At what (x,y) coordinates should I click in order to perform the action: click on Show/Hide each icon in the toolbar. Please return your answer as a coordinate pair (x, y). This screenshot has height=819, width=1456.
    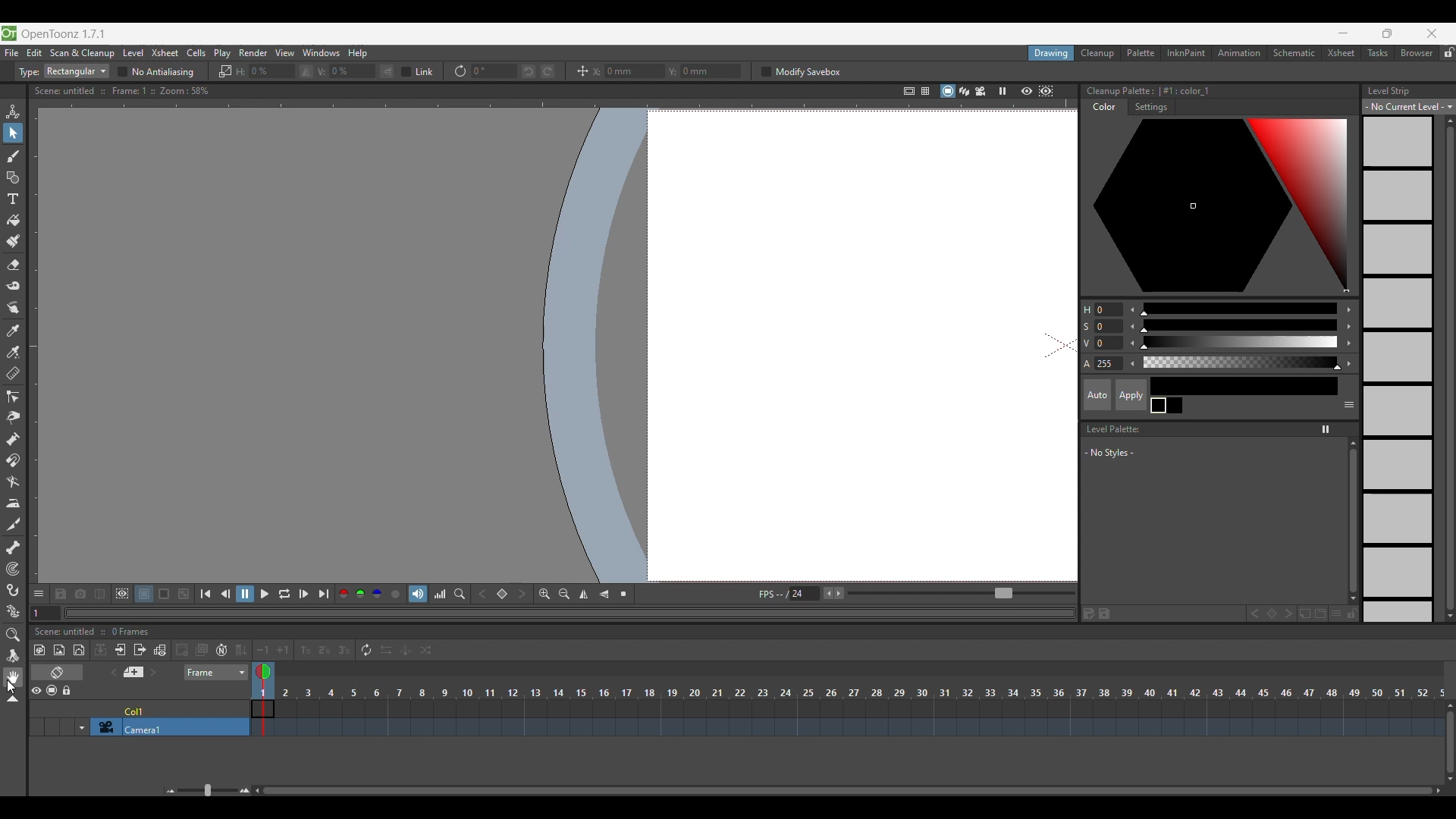
    Looking at the image, I should click on (39, 594).